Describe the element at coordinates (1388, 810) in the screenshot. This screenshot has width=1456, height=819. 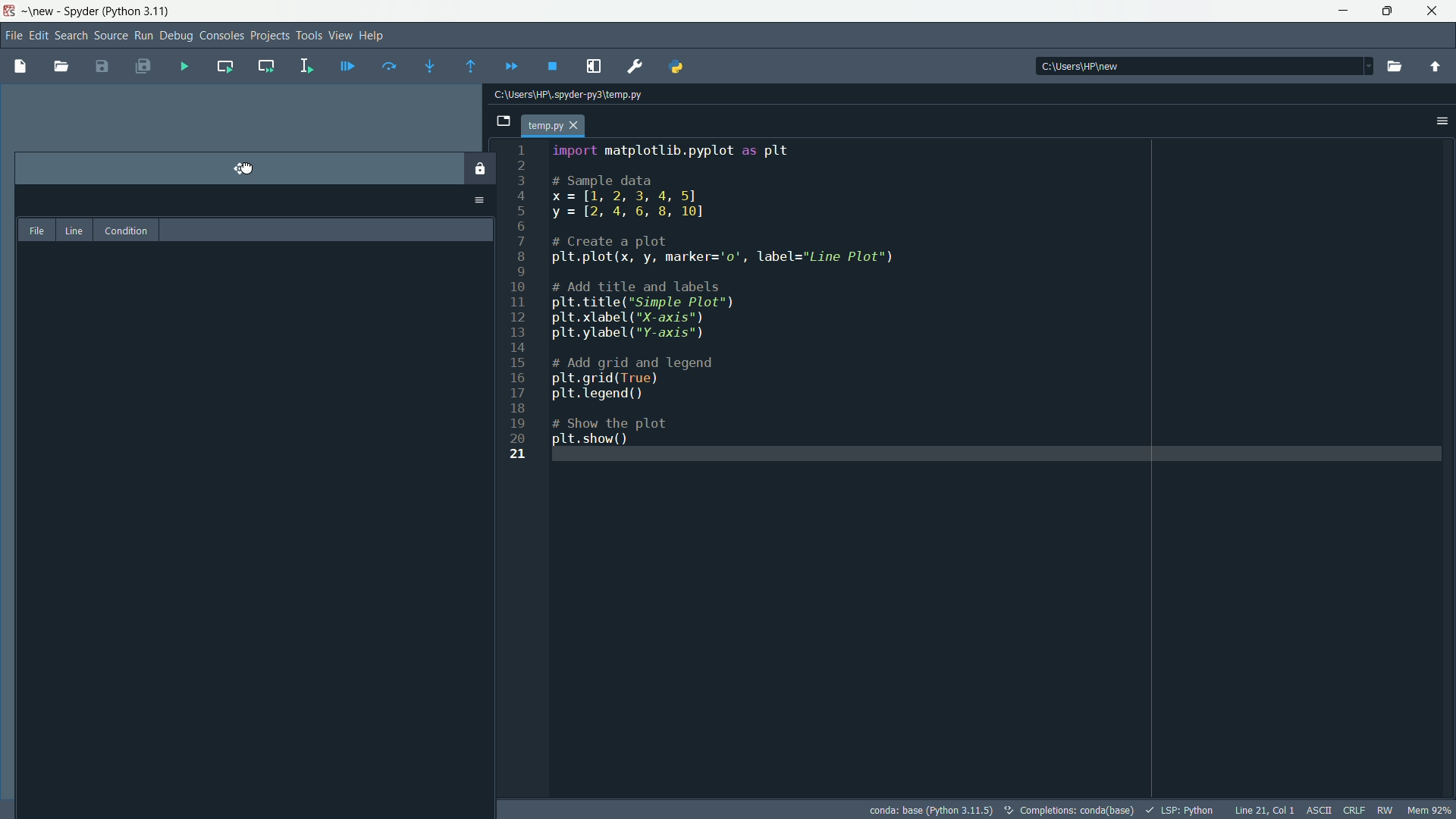
I see `RW` at that location.